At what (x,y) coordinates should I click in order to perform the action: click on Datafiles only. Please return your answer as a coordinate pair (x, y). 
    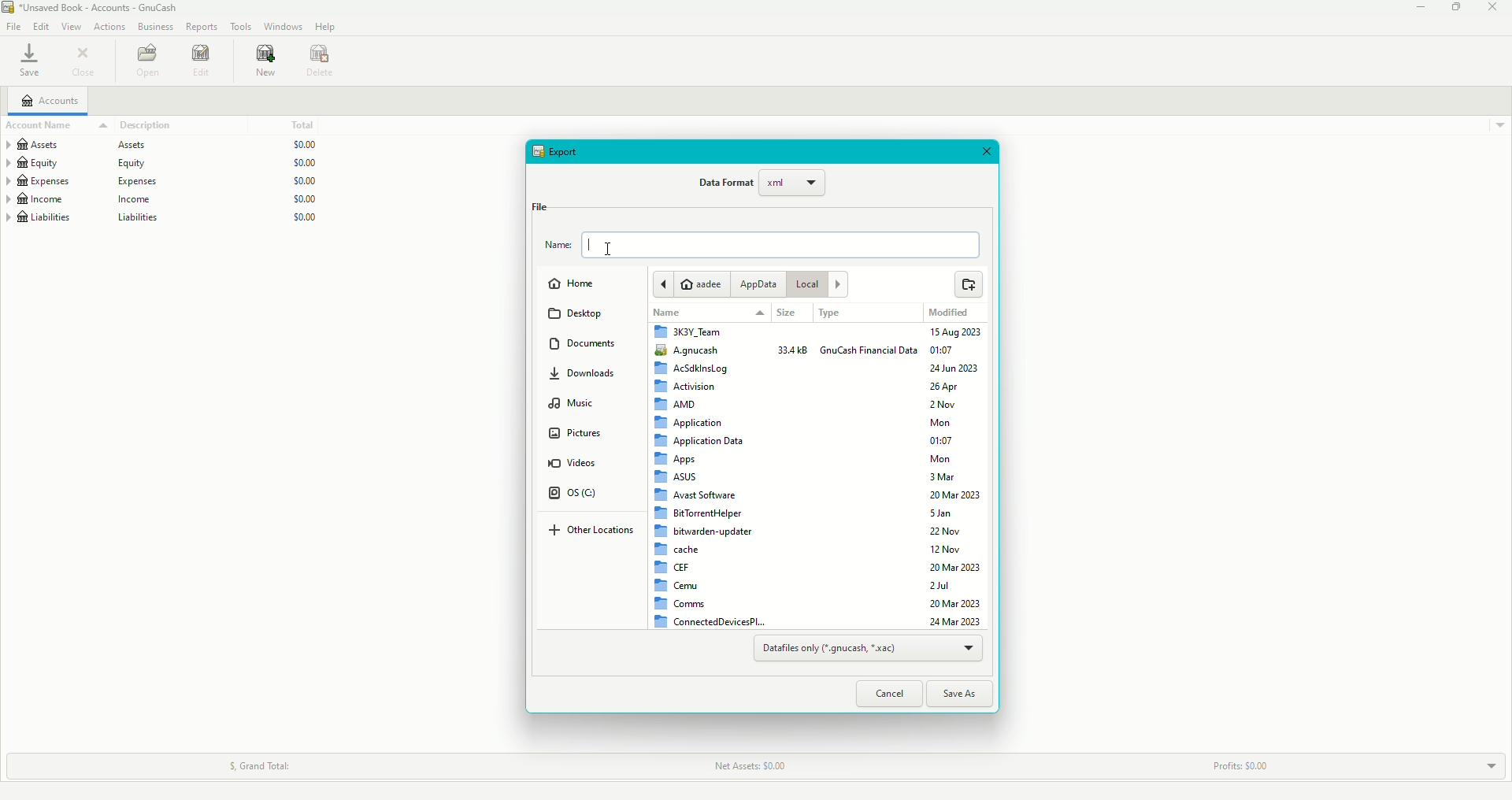
    Looking at the image, I should click on (867, 649).